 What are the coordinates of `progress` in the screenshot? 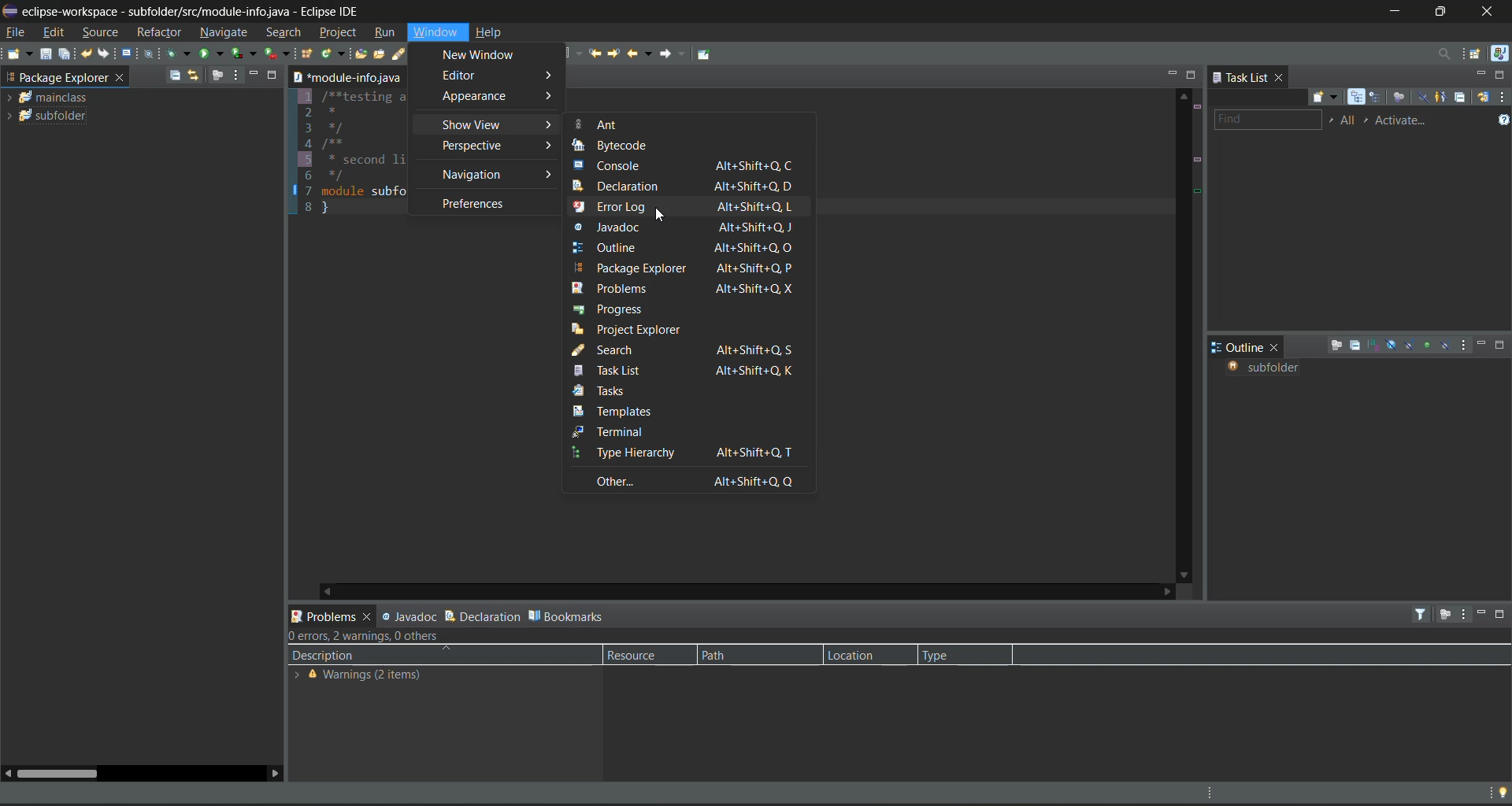 It's located at (612, 308).